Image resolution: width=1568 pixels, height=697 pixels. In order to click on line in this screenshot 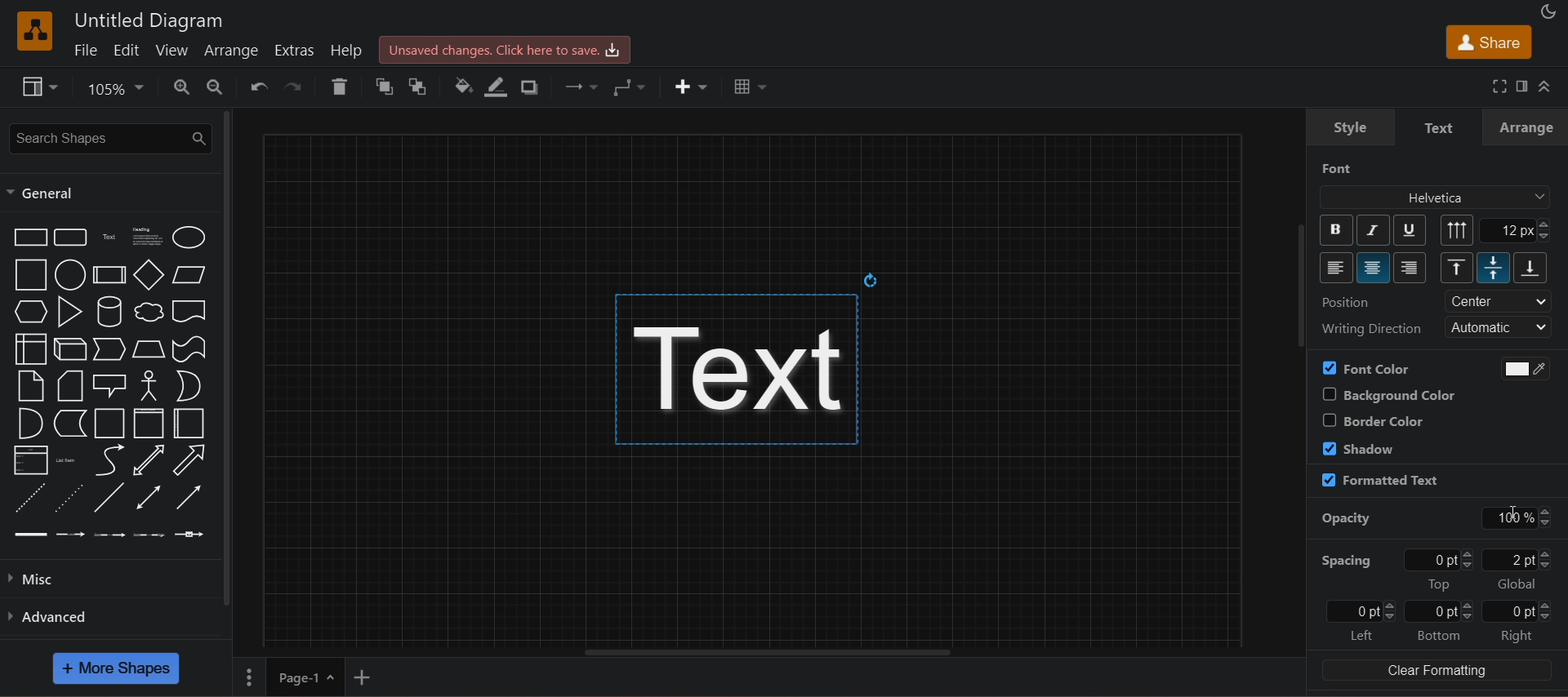, I will do `click(109, 497)`.